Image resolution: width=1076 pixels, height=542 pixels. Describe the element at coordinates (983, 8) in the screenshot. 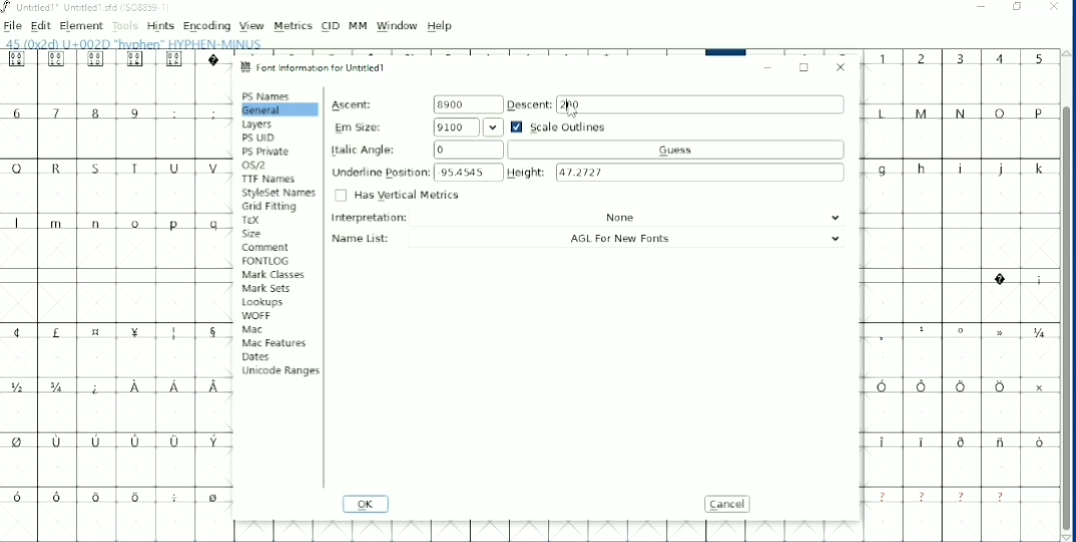

I see `Minimize` at that location.